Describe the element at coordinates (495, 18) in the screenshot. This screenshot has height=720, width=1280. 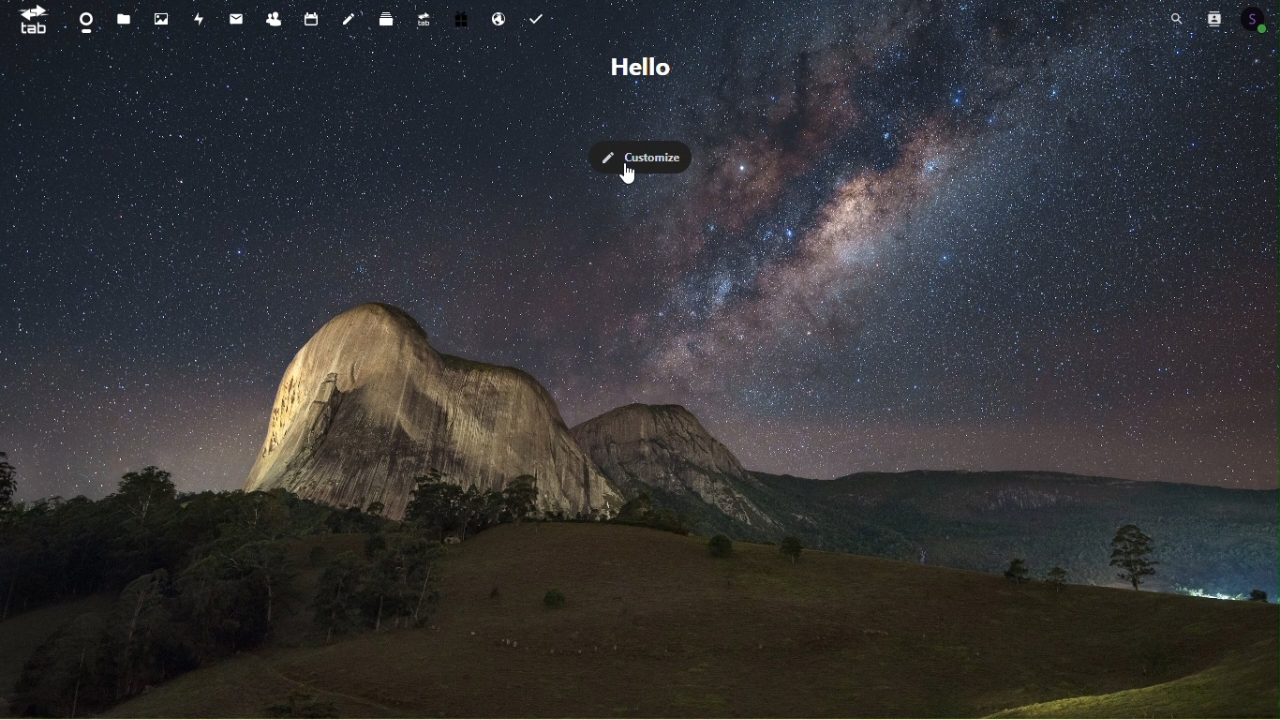
I see `Email hosting` at that location.